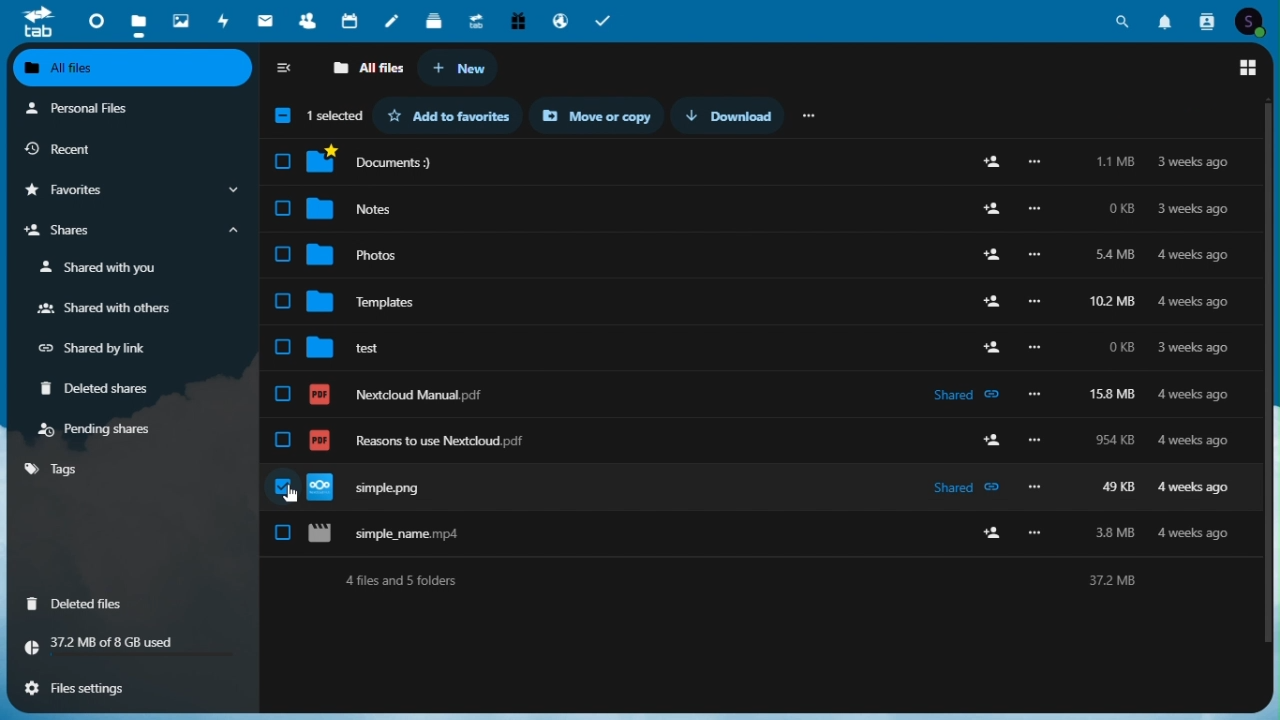 The height and width of the screenshot is (720, 1280). What do you see at coordinates (1123, 18) in the screenshot?
I see `Search ` at bounding box center [1123, 18].